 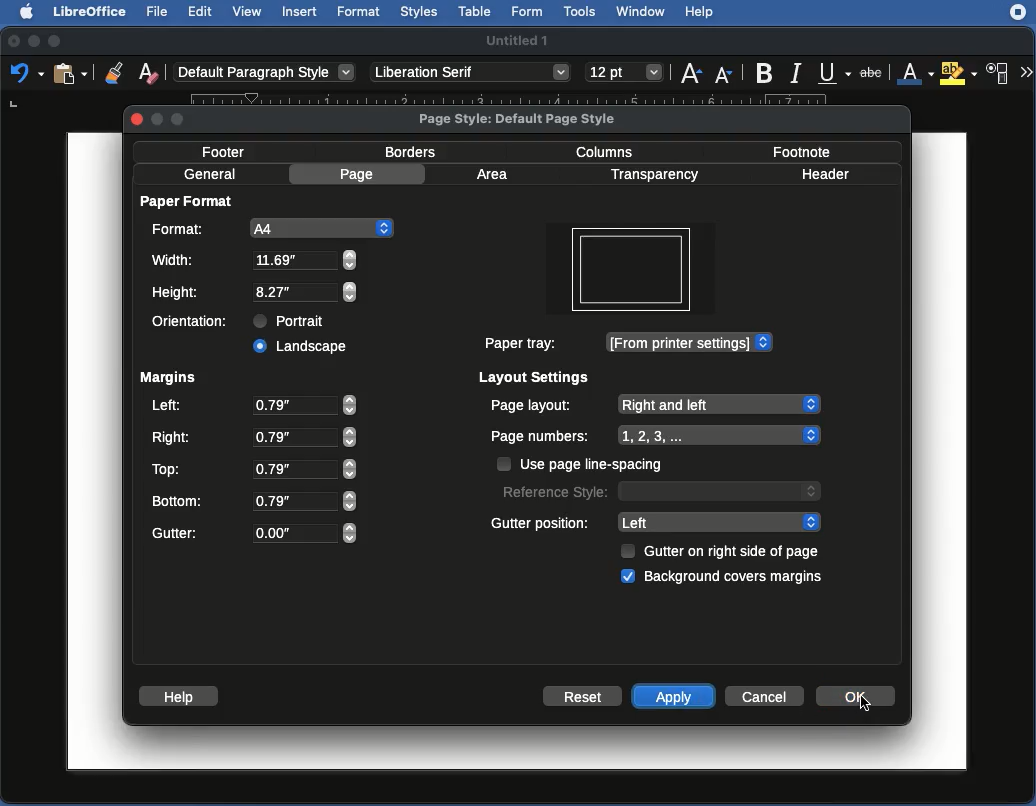 What do you see at coordinates (156, 121) in the screenshot?
I see `minimize` at bounding box center [156, 121].